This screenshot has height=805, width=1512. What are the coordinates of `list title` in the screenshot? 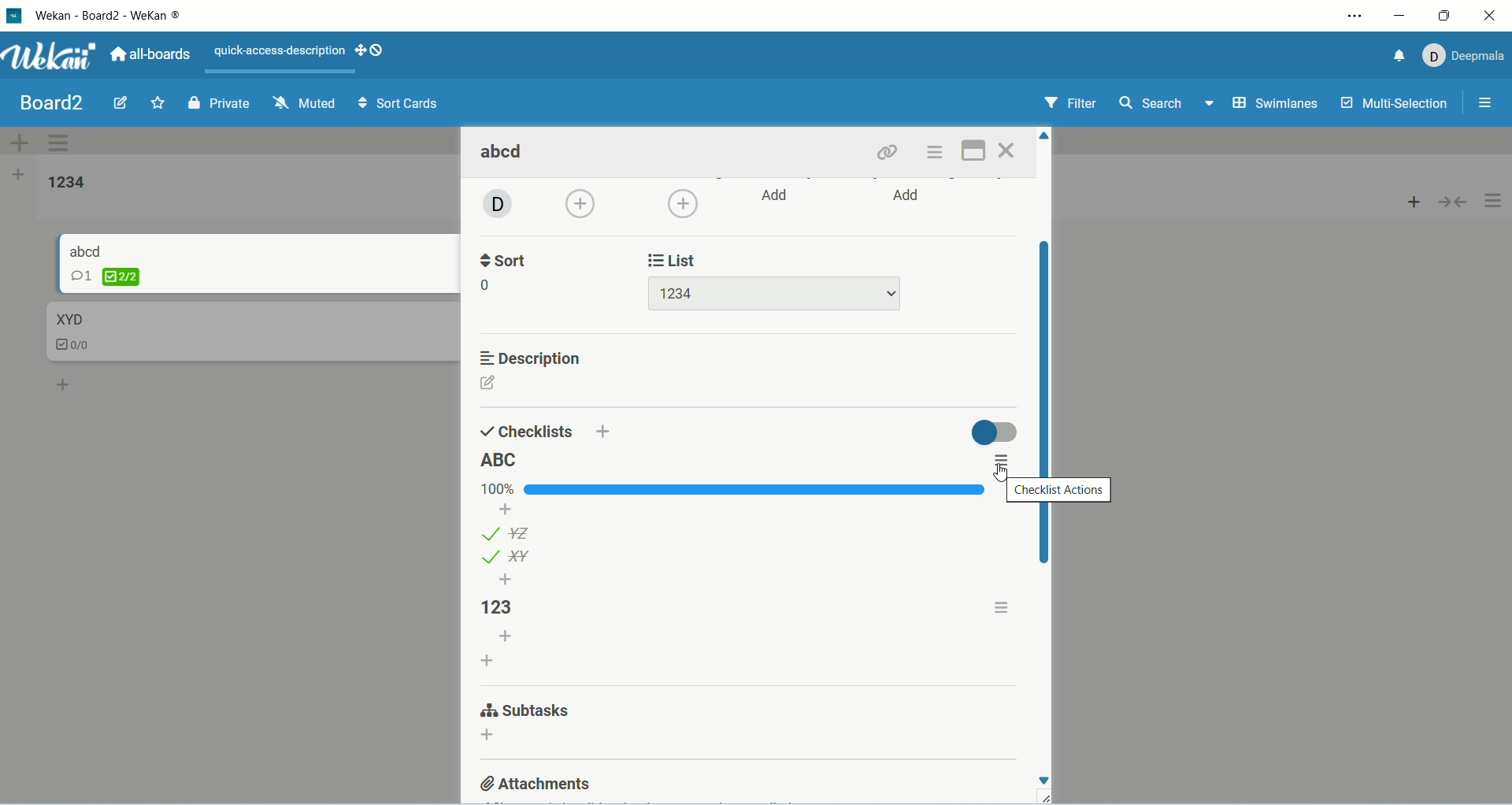 It's located at (502, 461).